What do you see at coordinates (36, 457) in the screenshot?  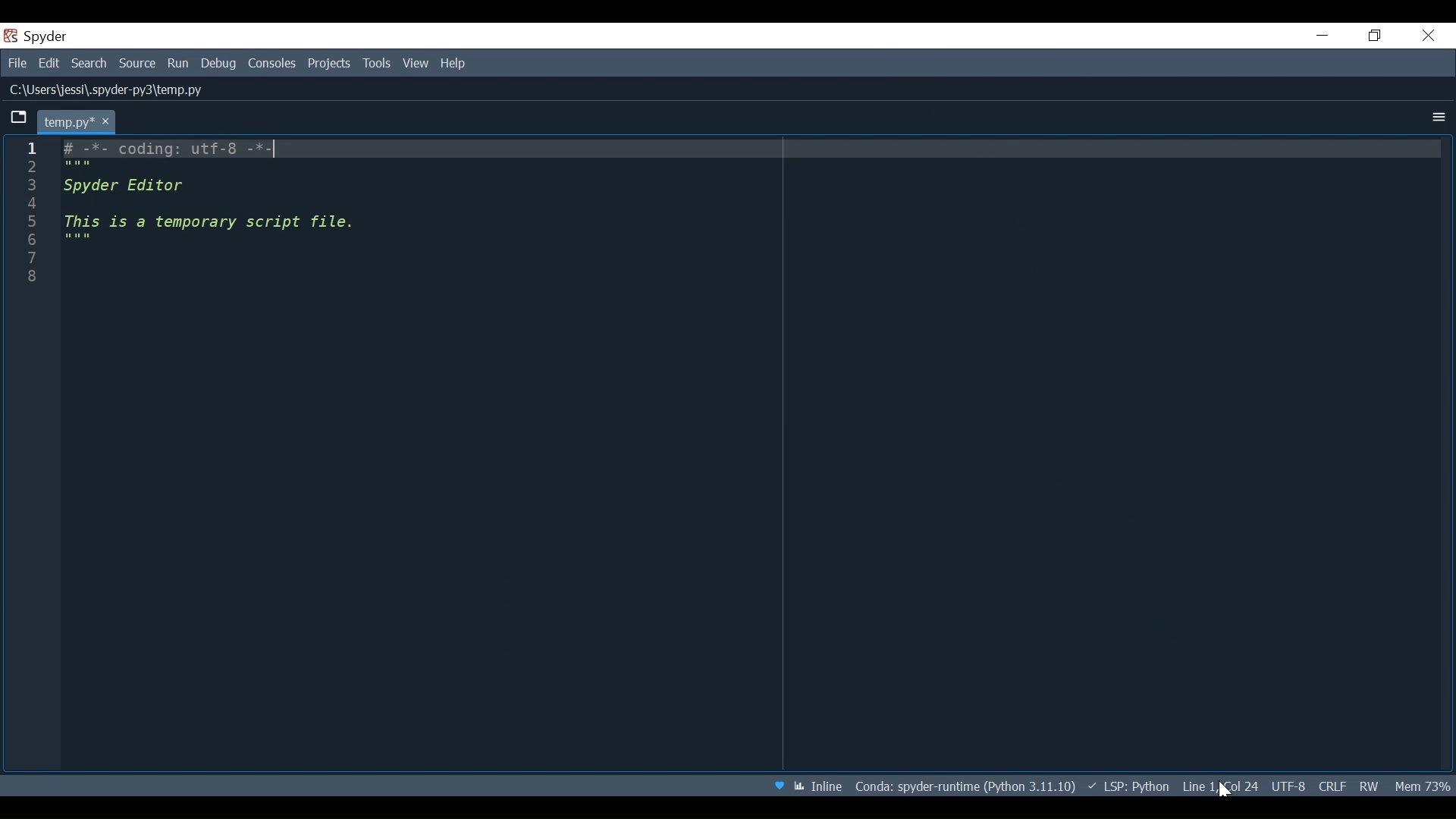 I see `line column` at bounding box center [36, 457].